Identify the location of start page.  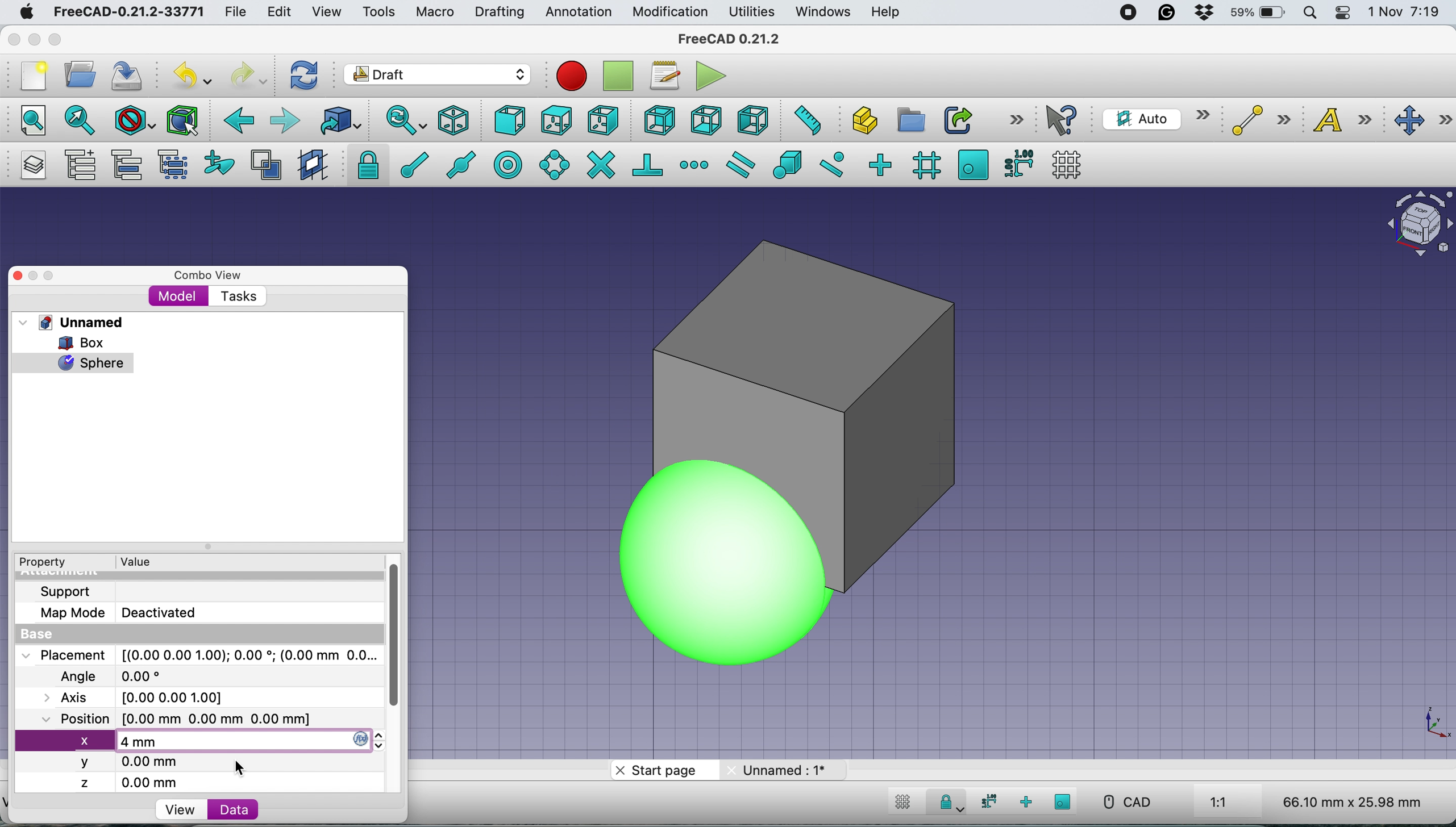
(661, 772).